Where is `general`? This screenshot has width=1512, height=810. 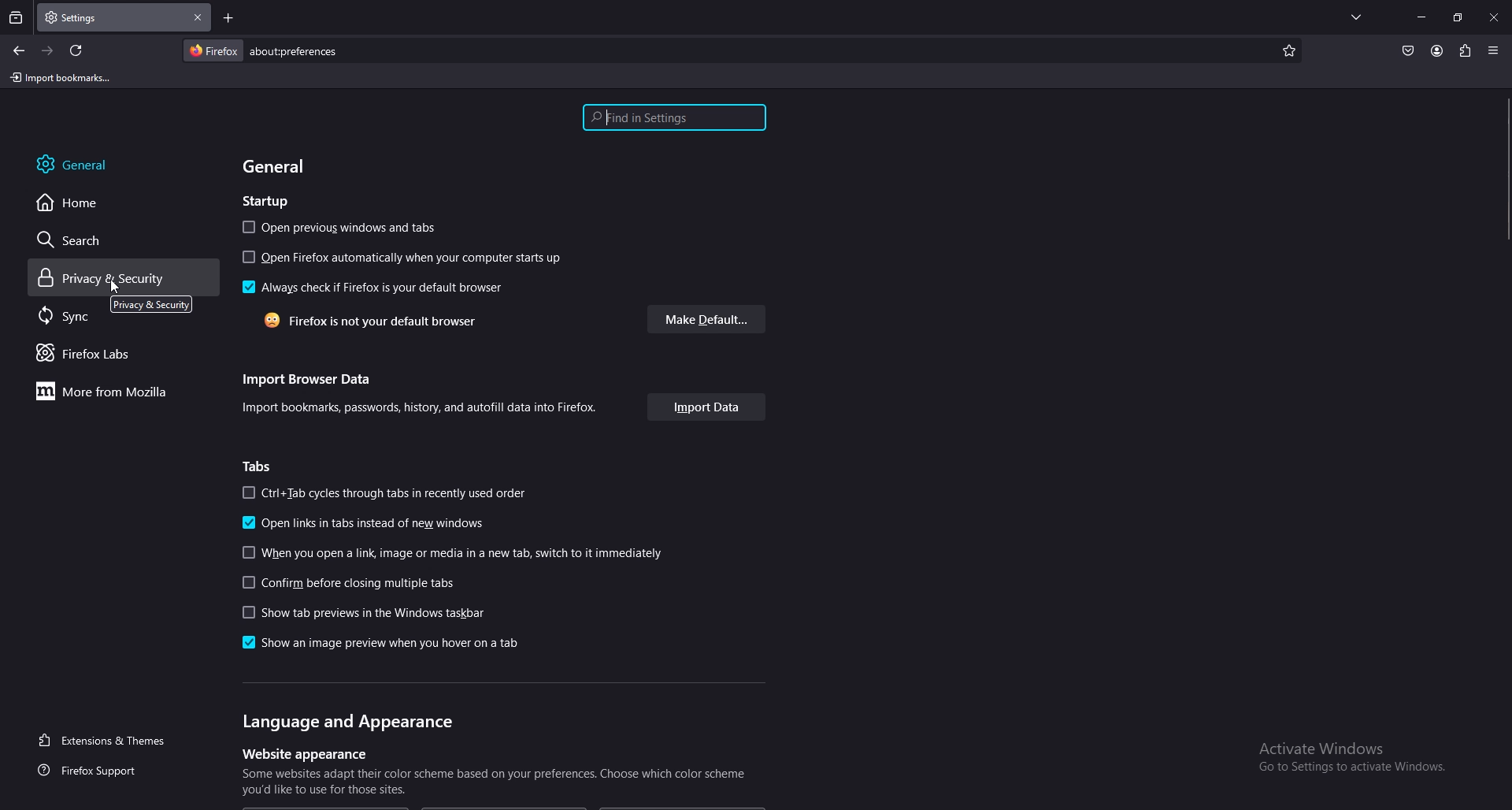 general is located at coordinates (91, 164).